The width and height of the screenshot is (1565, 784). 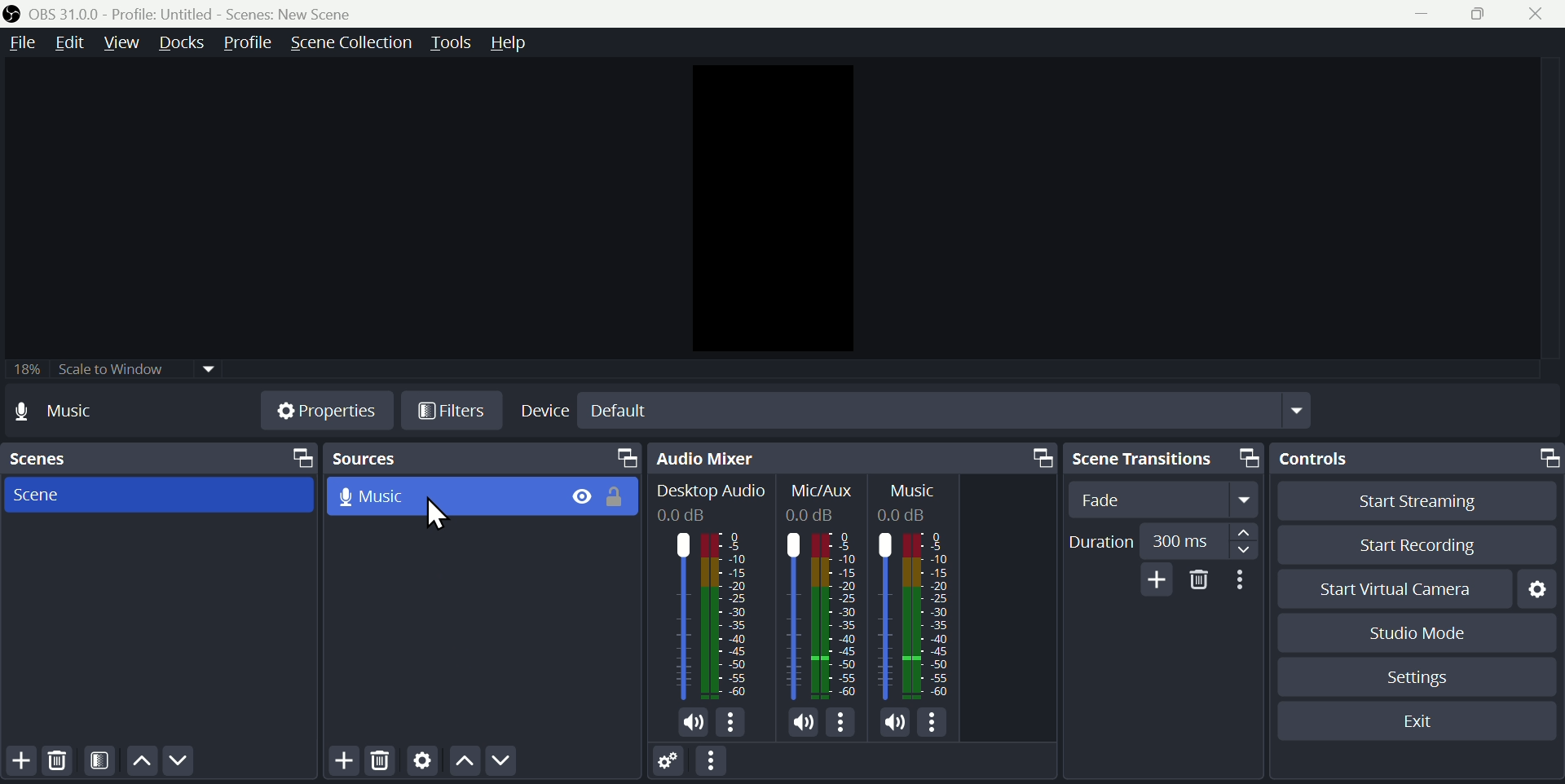 What do you see at coordinates (821, 491) in the screenshot?
I see `` at bounding box center [821, 491].